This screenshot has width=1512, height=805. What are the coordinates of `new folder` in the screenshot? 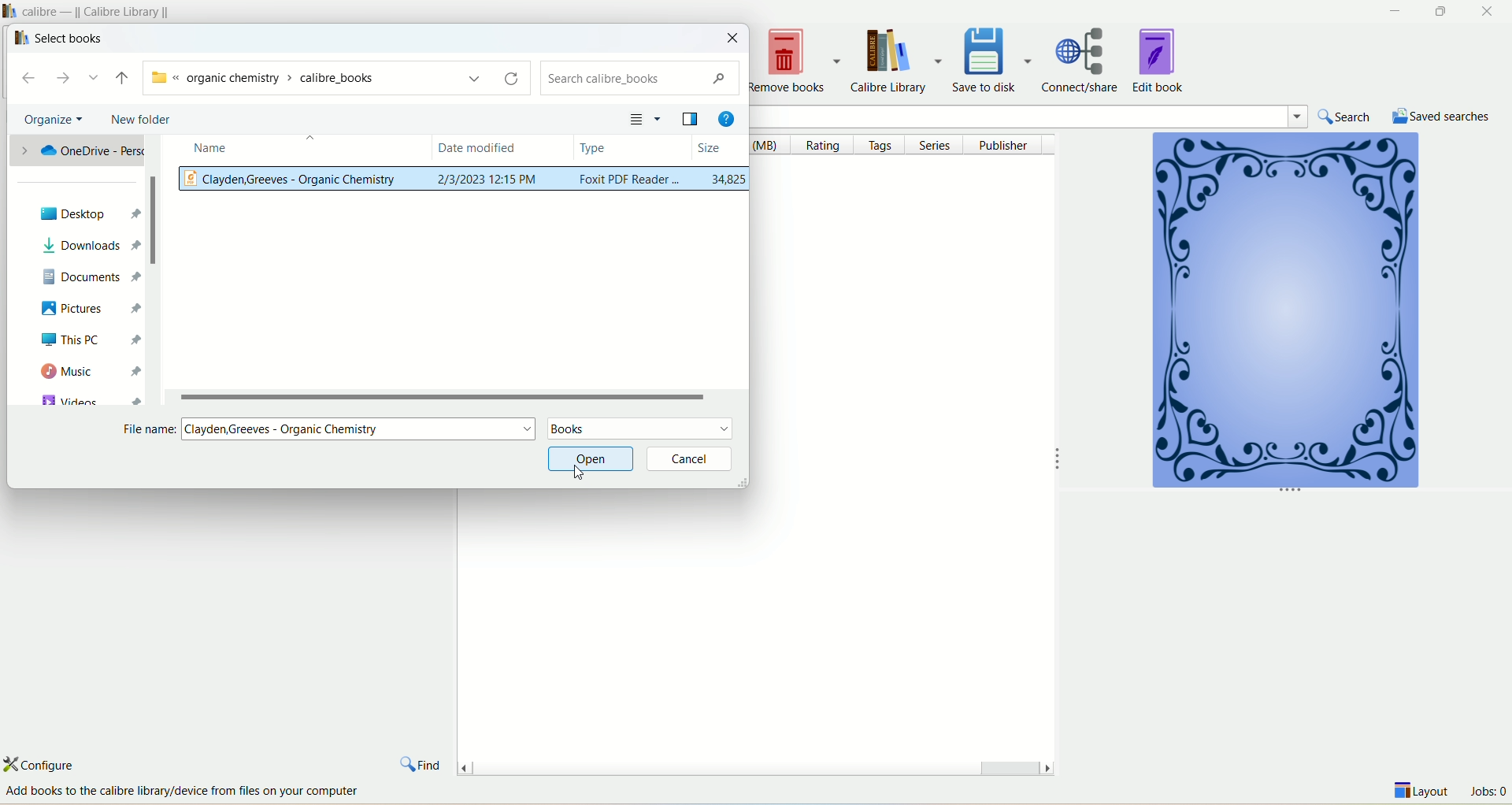 It's located at (140, 121).